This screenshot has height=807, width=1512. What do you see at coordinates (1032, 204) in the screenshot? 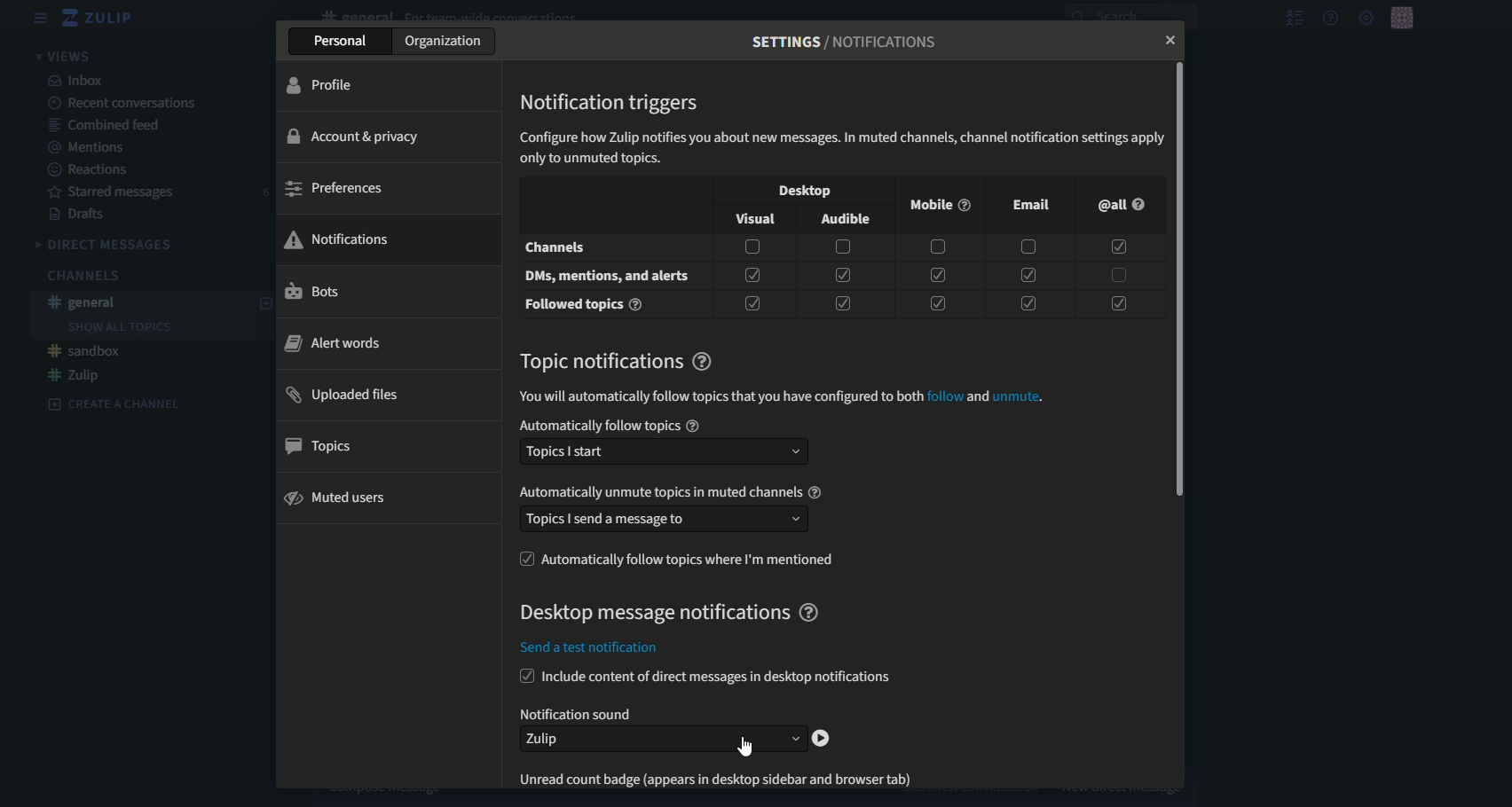
I see `email` at bounding box center [1032, 204].